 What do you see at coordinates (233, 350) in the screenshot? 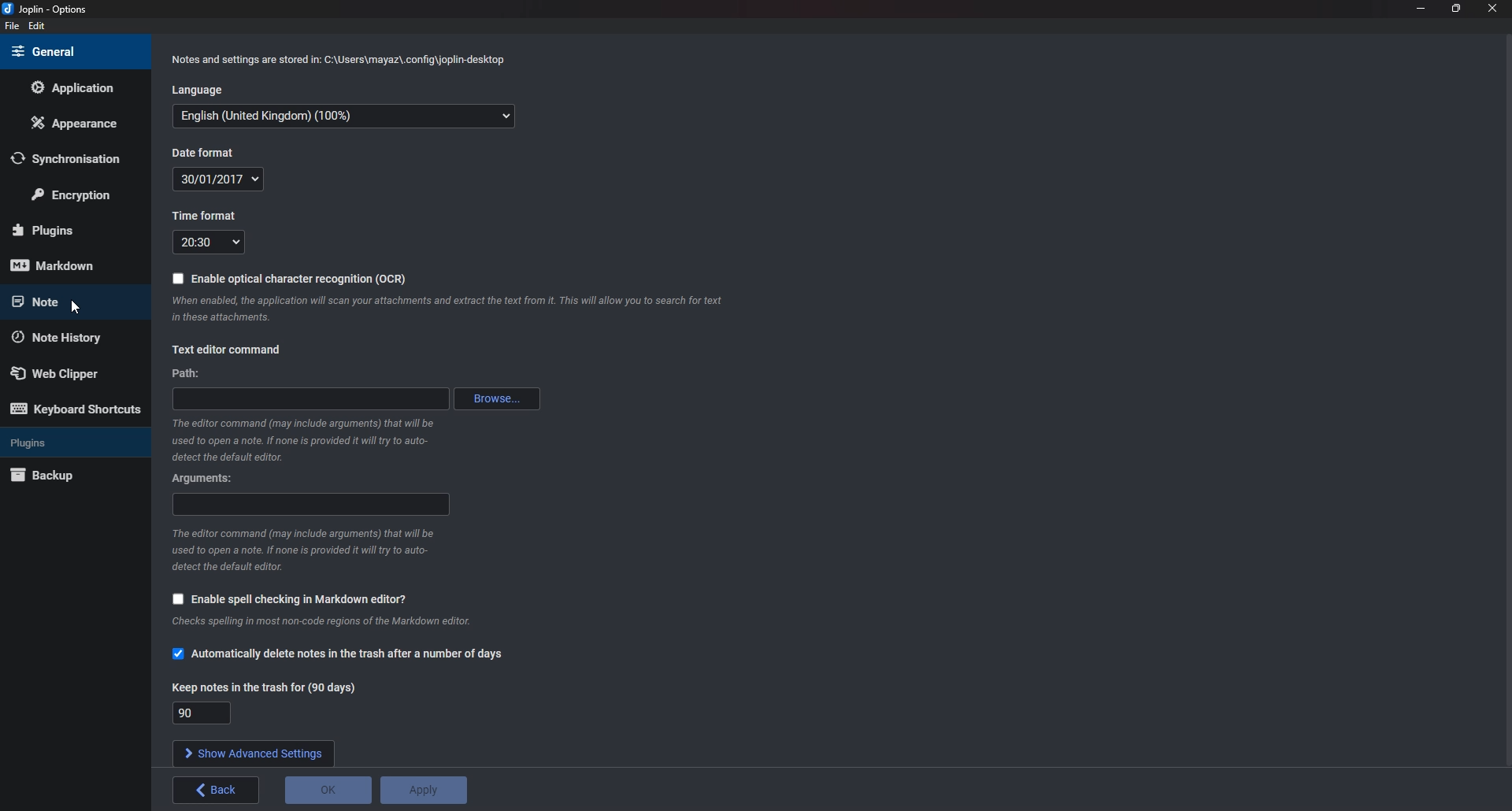
I see `text editor command` at bounding box center [233, 350].